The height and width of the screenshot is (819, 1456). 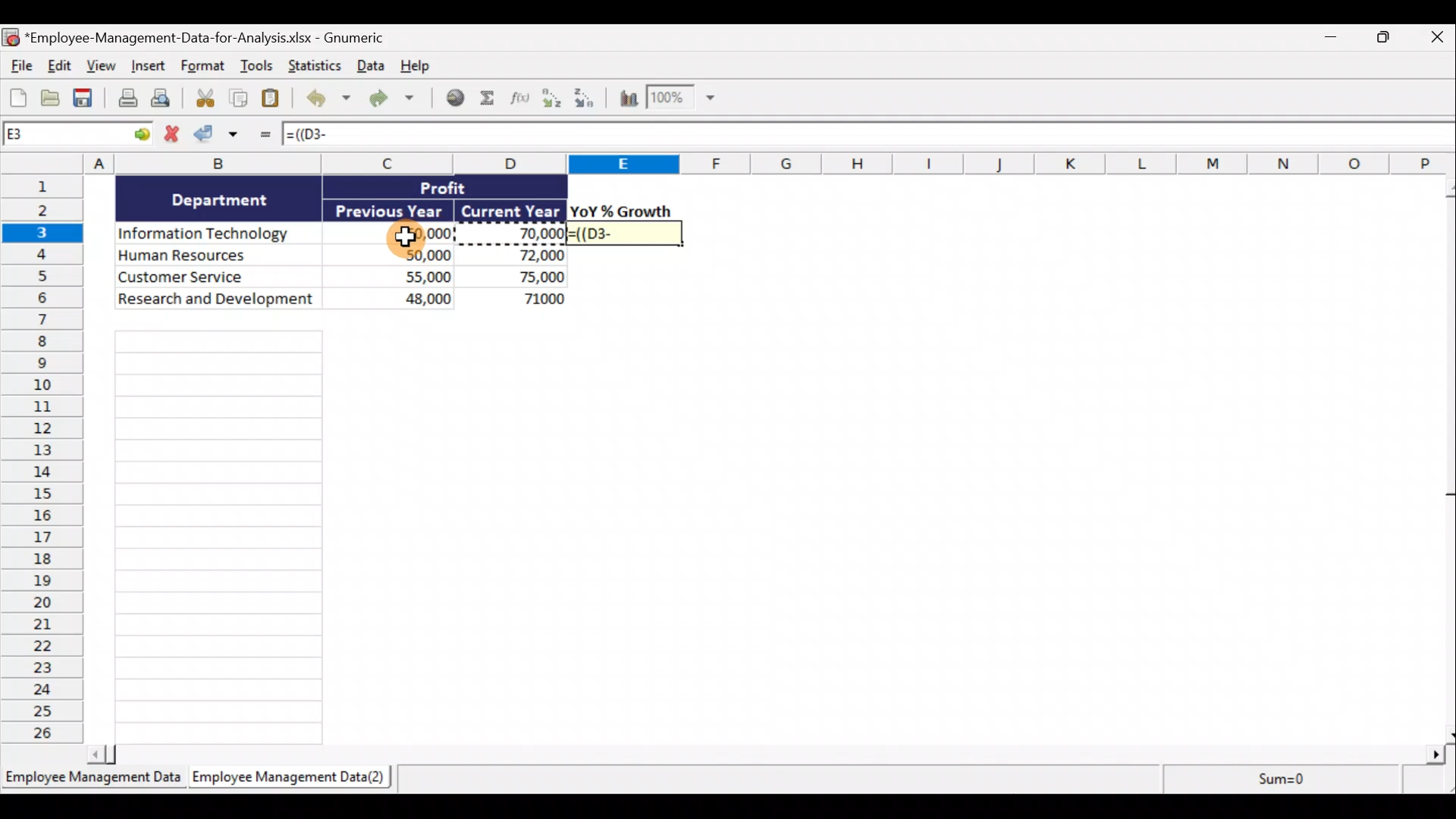 I want to click on Accept change, so click(x=221, y=137).